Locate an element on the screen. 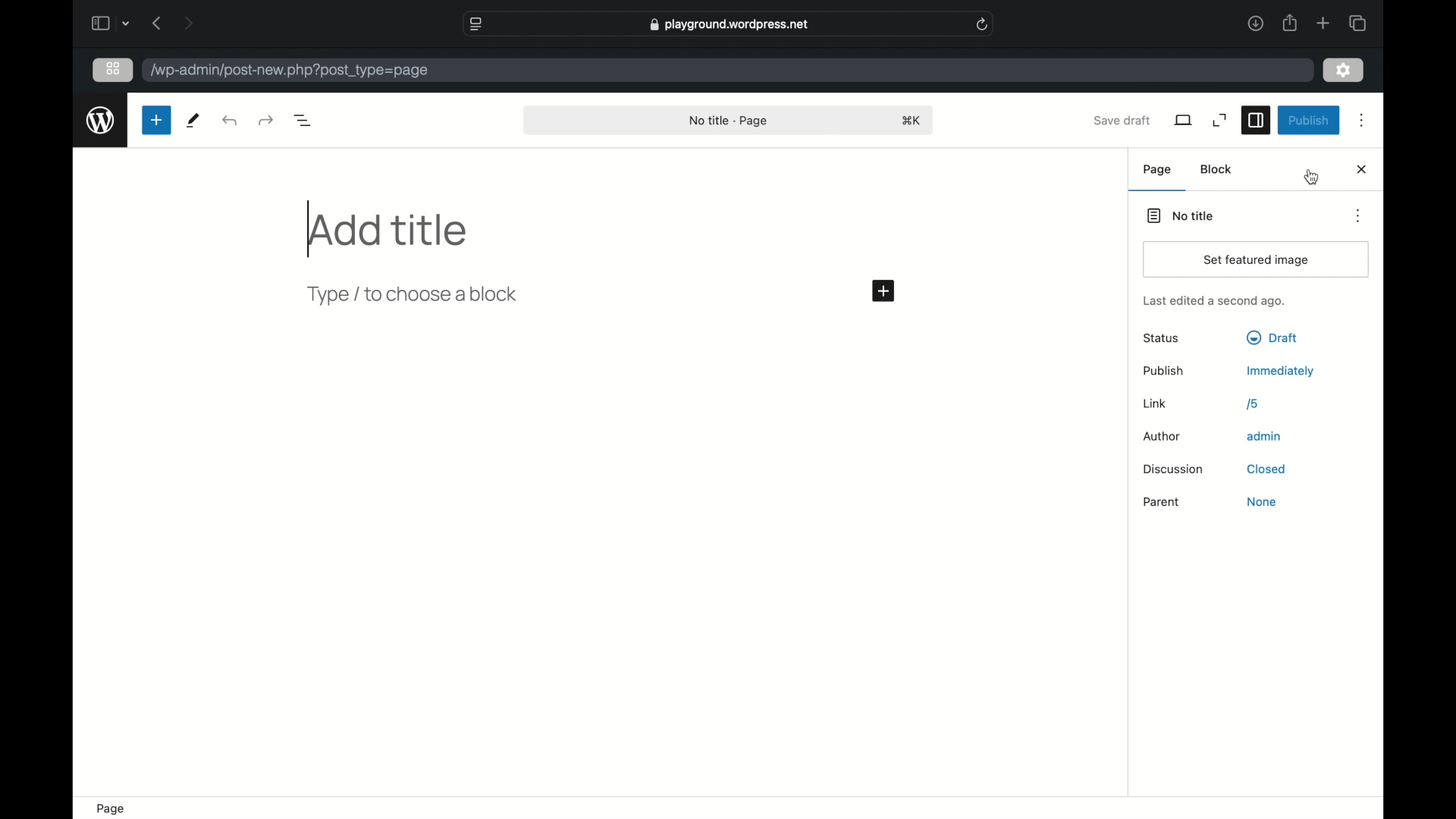 The width and height of the screenshot is (1456, 819). show tab overview is located at coordinates (1359, 24).